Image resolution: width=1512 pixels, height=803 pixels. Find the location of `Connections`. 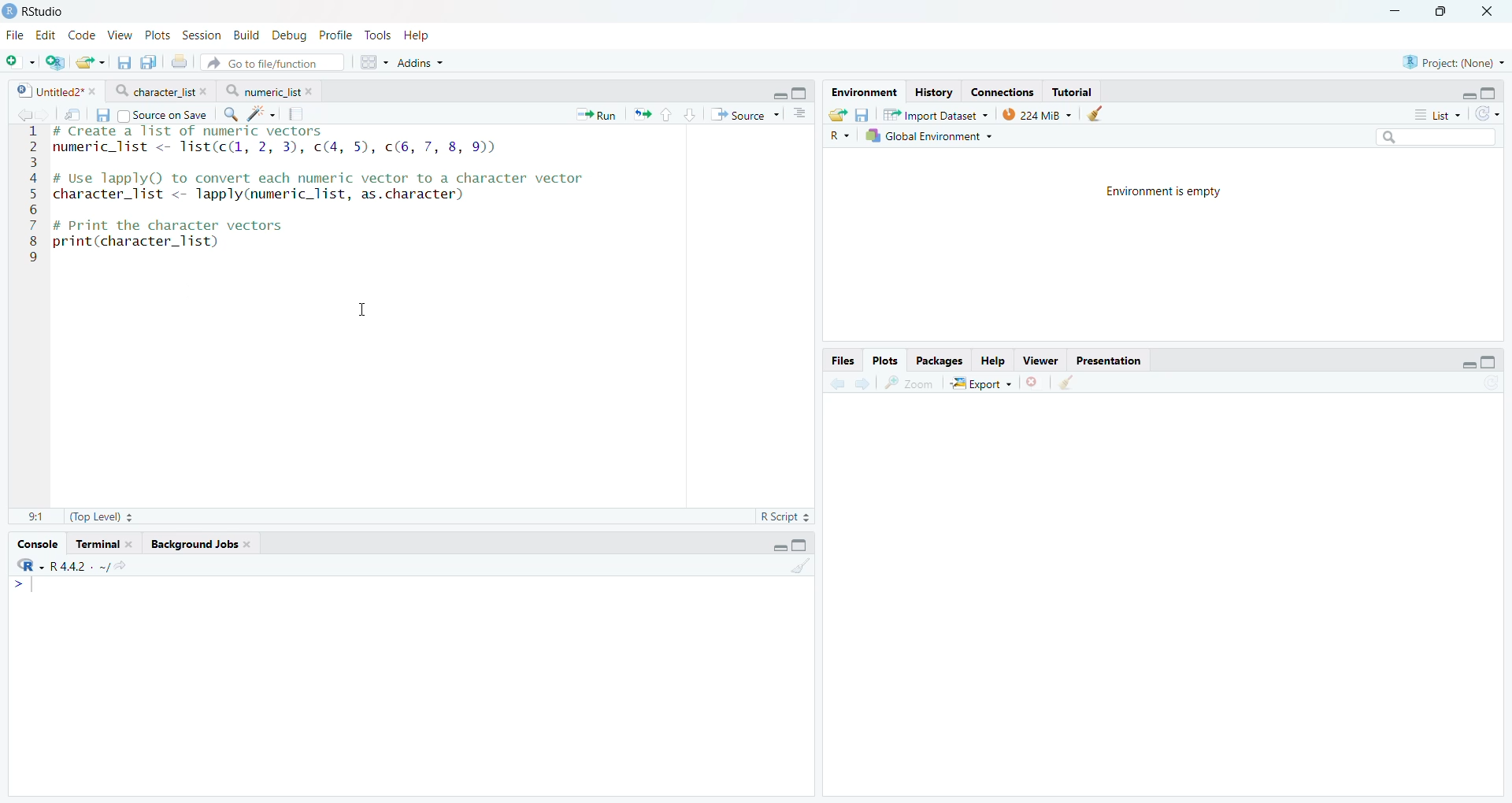

Connections is located at coordinates (1002, 91).